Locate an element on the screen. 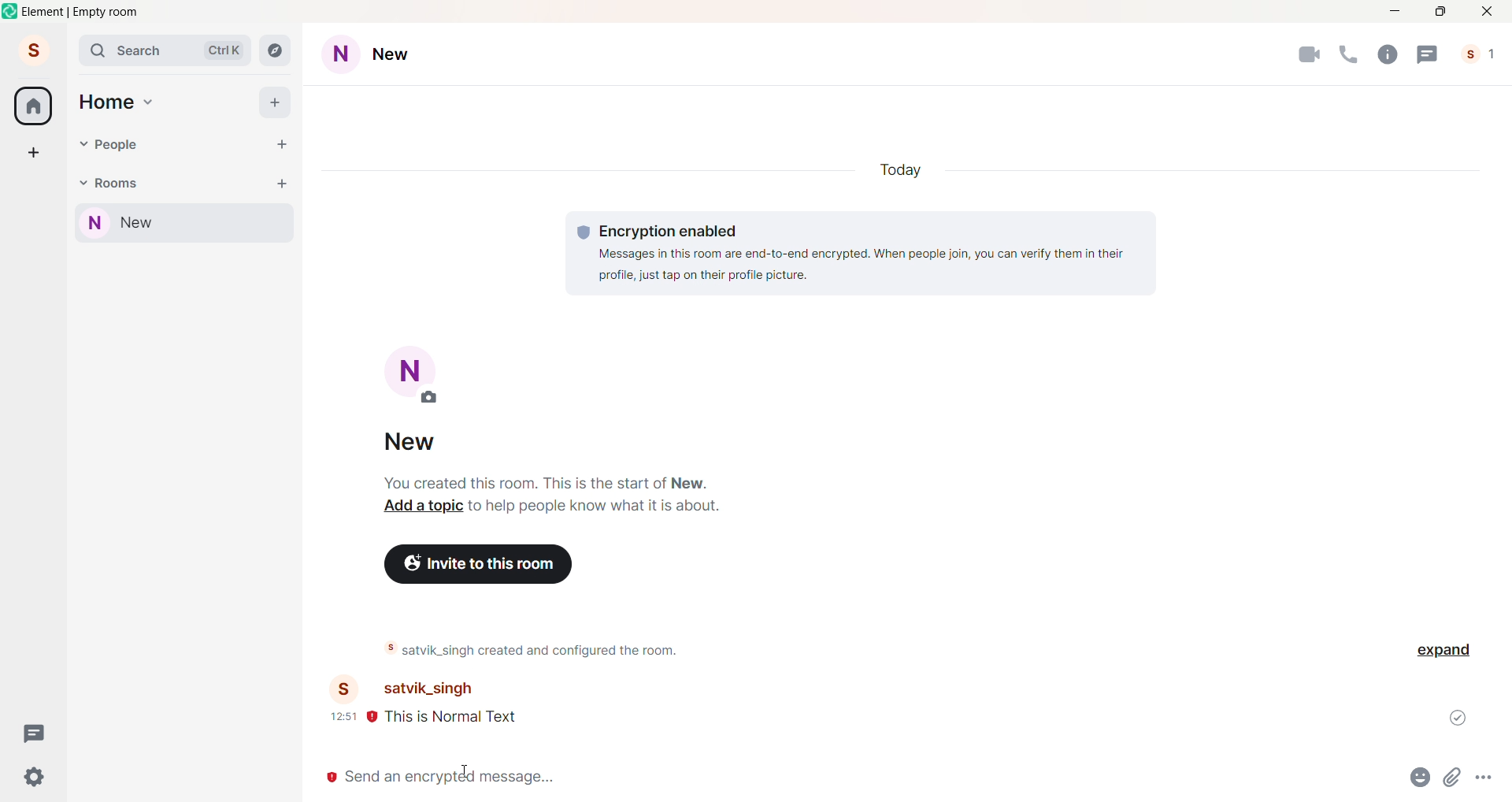 The image size is (1512, 802). satvik_singh is located at coordinates (424, 689).